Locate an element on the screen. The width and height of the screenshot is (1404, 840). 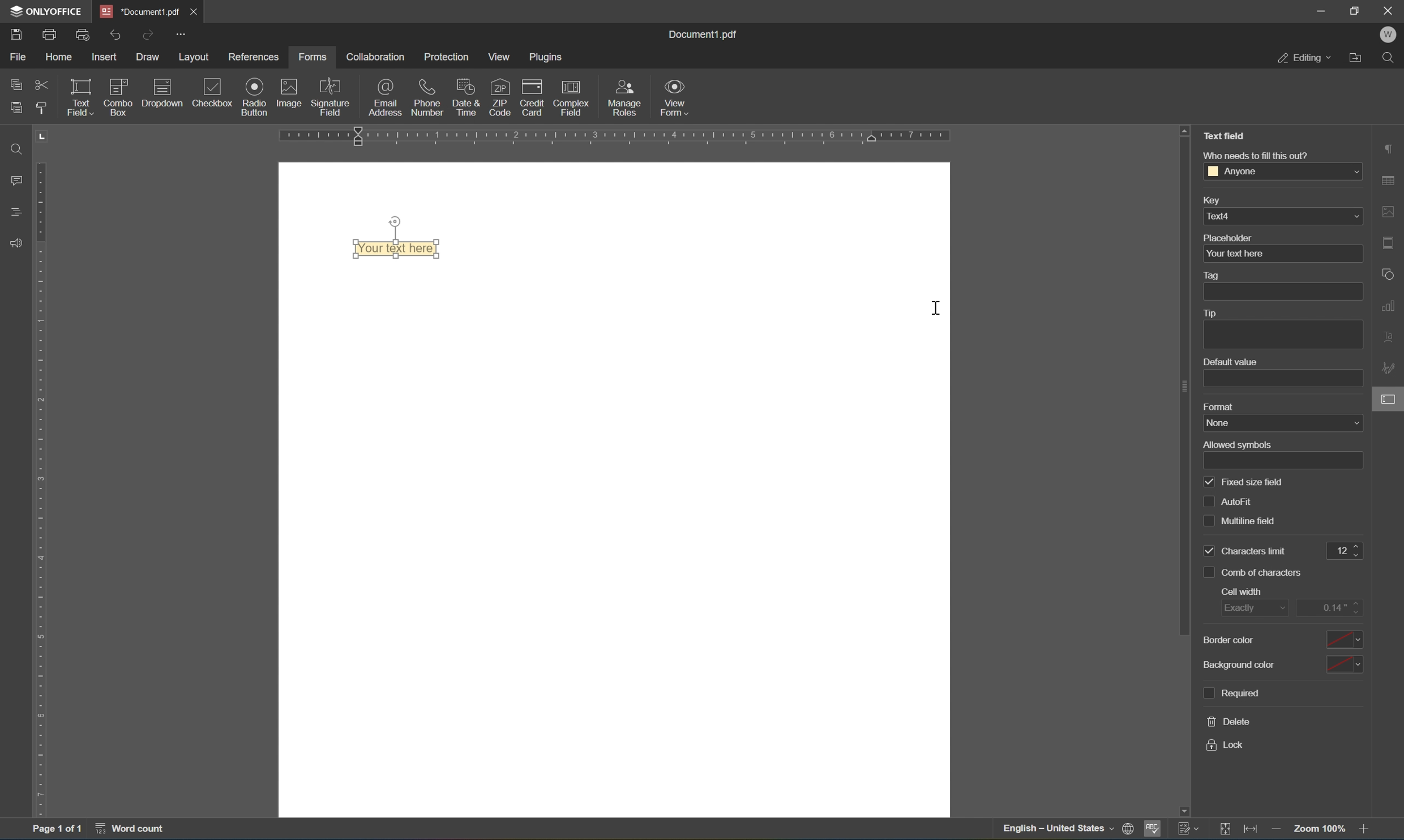
cursor is located at coordinates (939, 306).